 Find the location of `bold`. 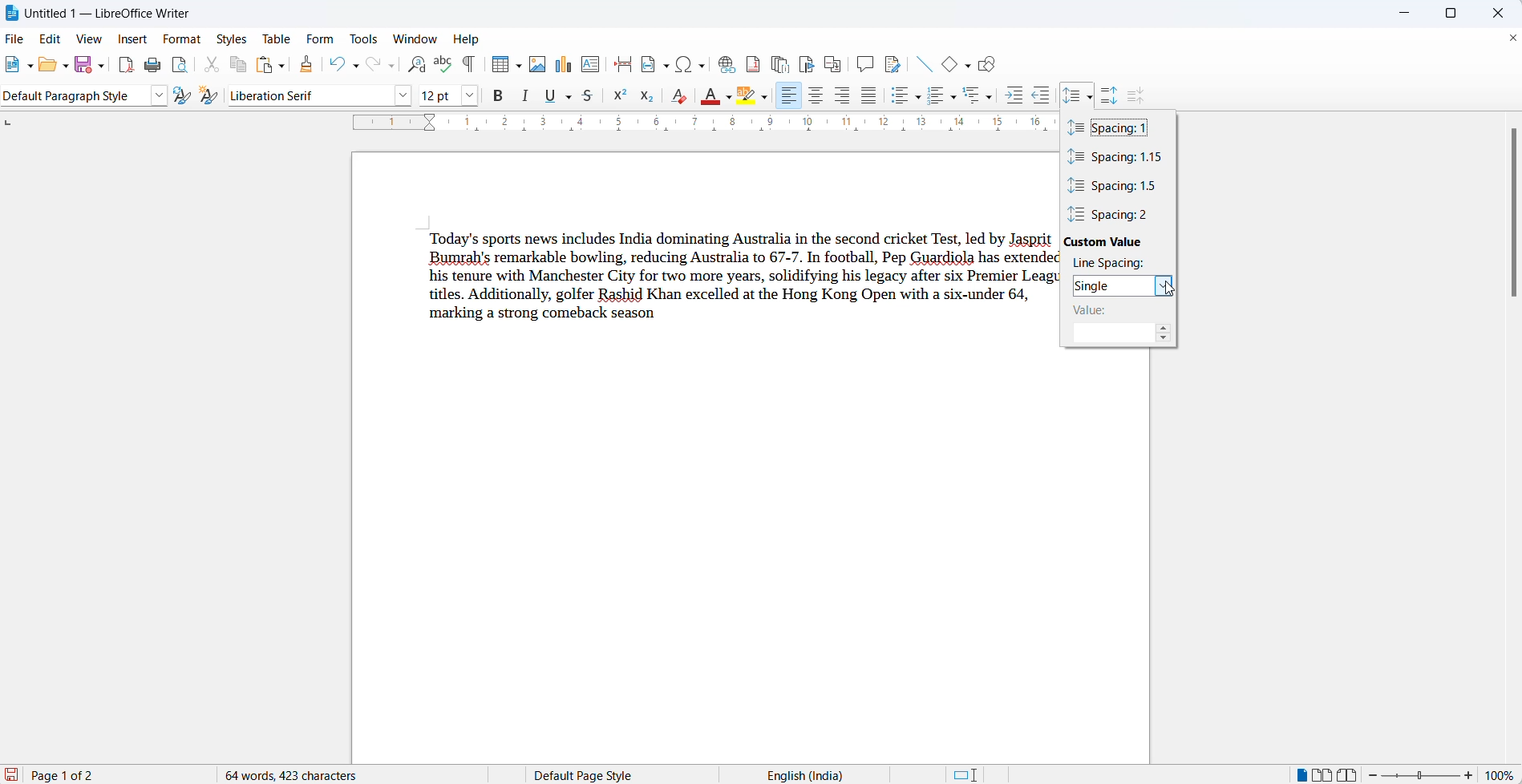

bold is located at coordinates (499, 96).